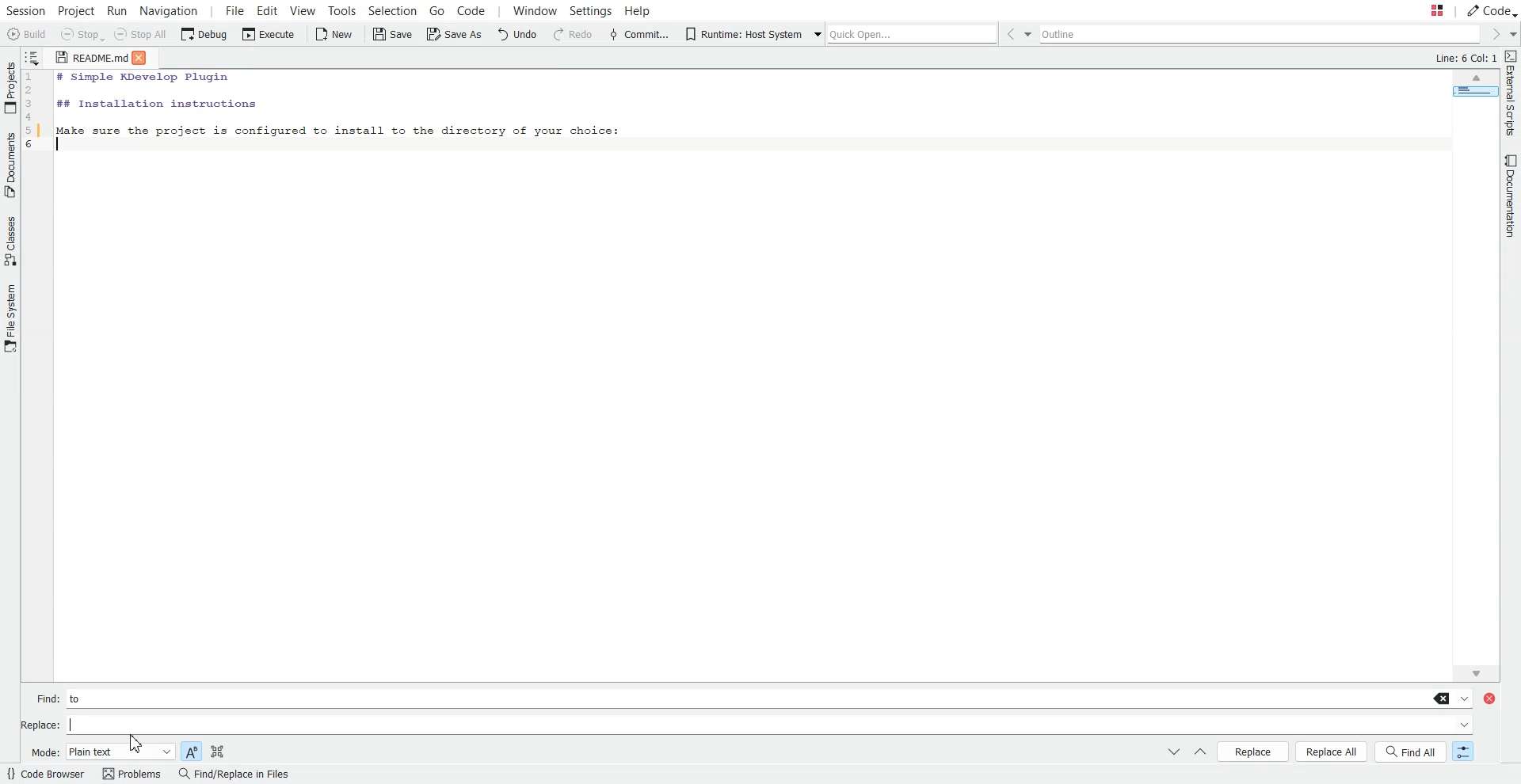  What do you see at coordinates (143, 36) in the screenshot?
I see `Stop All` at bounding box center [143, 36].